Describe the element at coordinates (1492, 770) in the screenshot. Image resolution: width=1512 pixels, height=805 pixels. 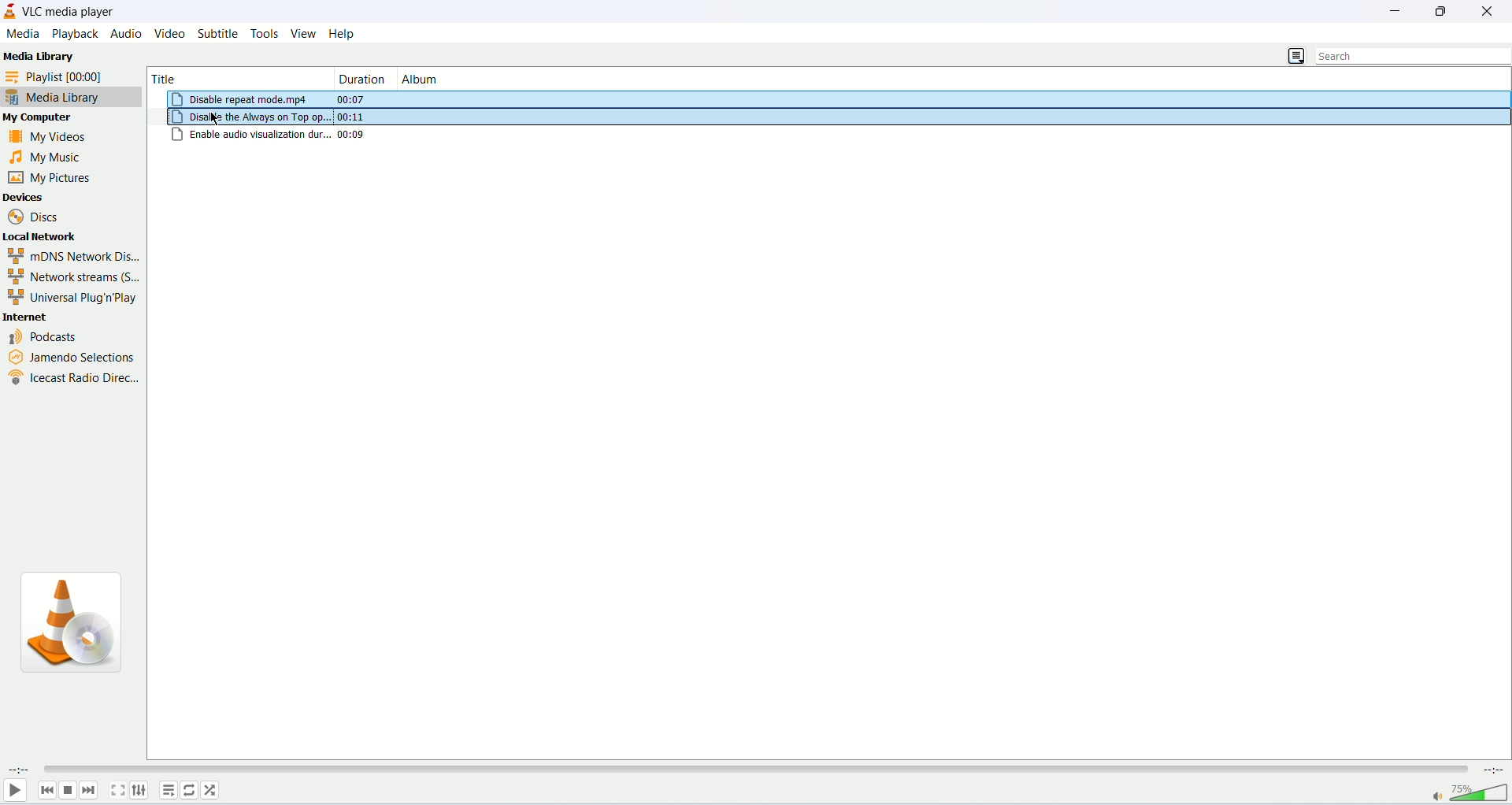
I see `remaining time` at that location.